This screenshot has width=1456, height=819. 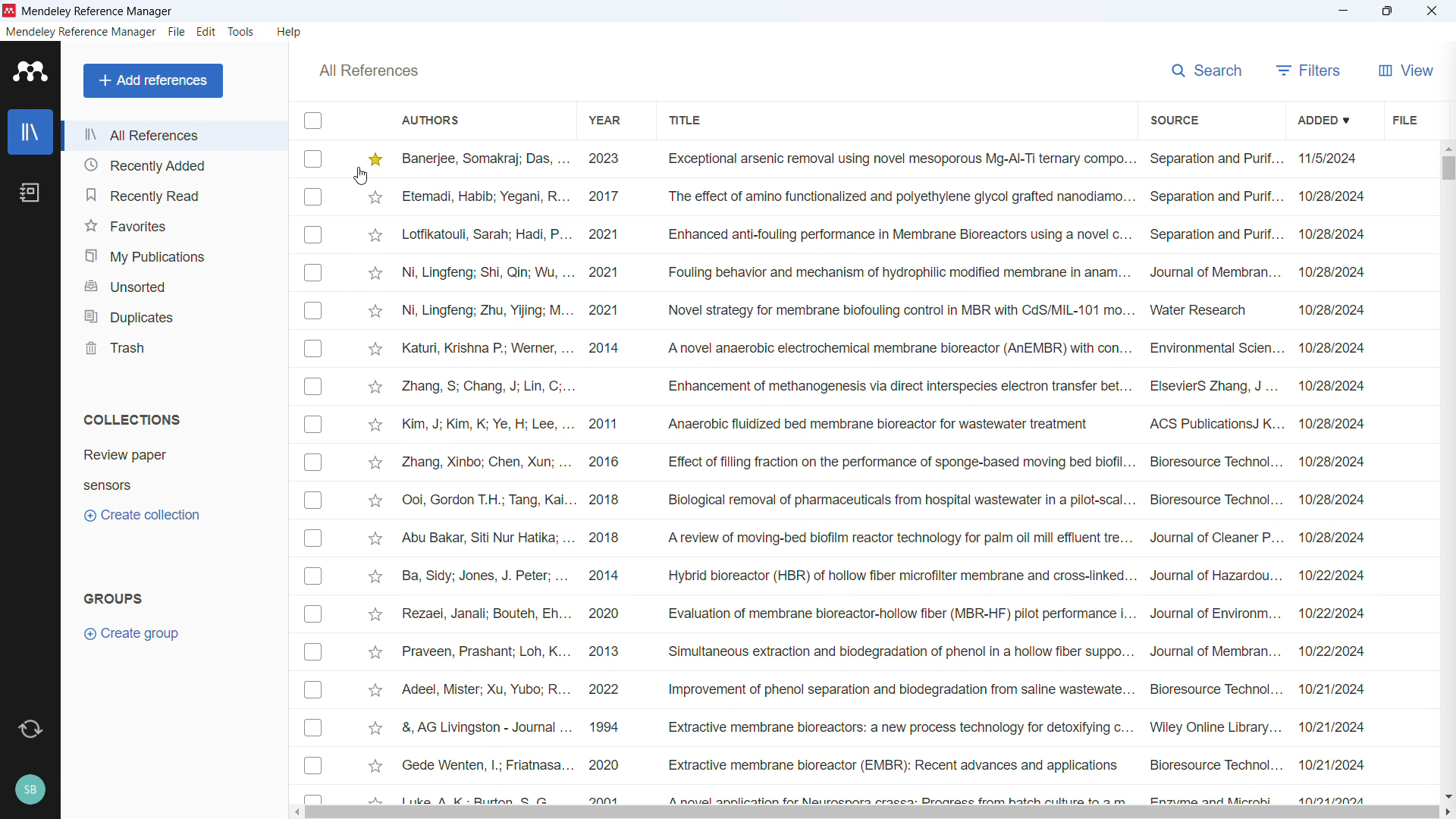 I want to click on Cursor , so click(x=361, y=177).